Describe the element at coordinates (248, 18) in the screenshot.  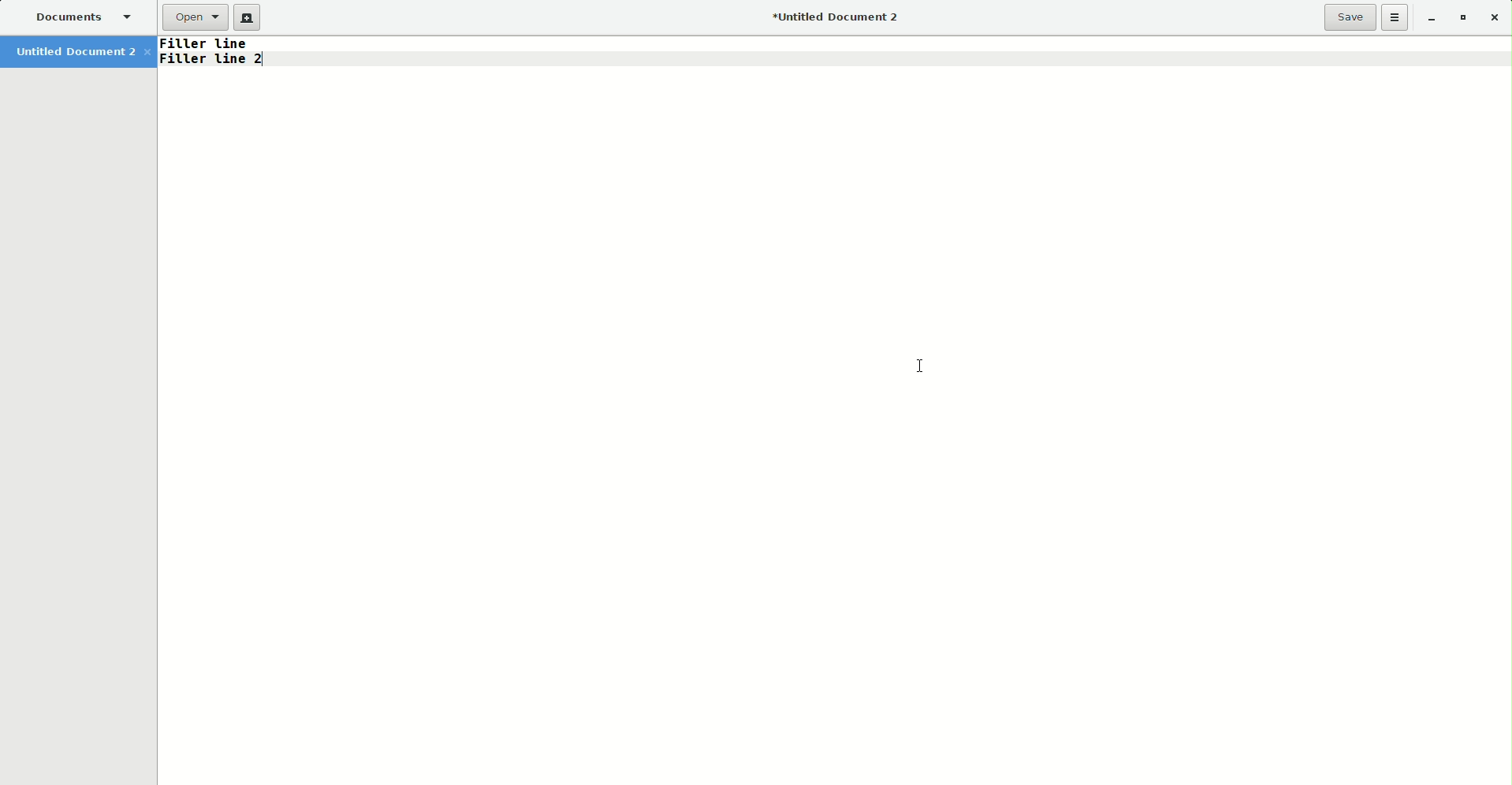
I see `New` at that location.